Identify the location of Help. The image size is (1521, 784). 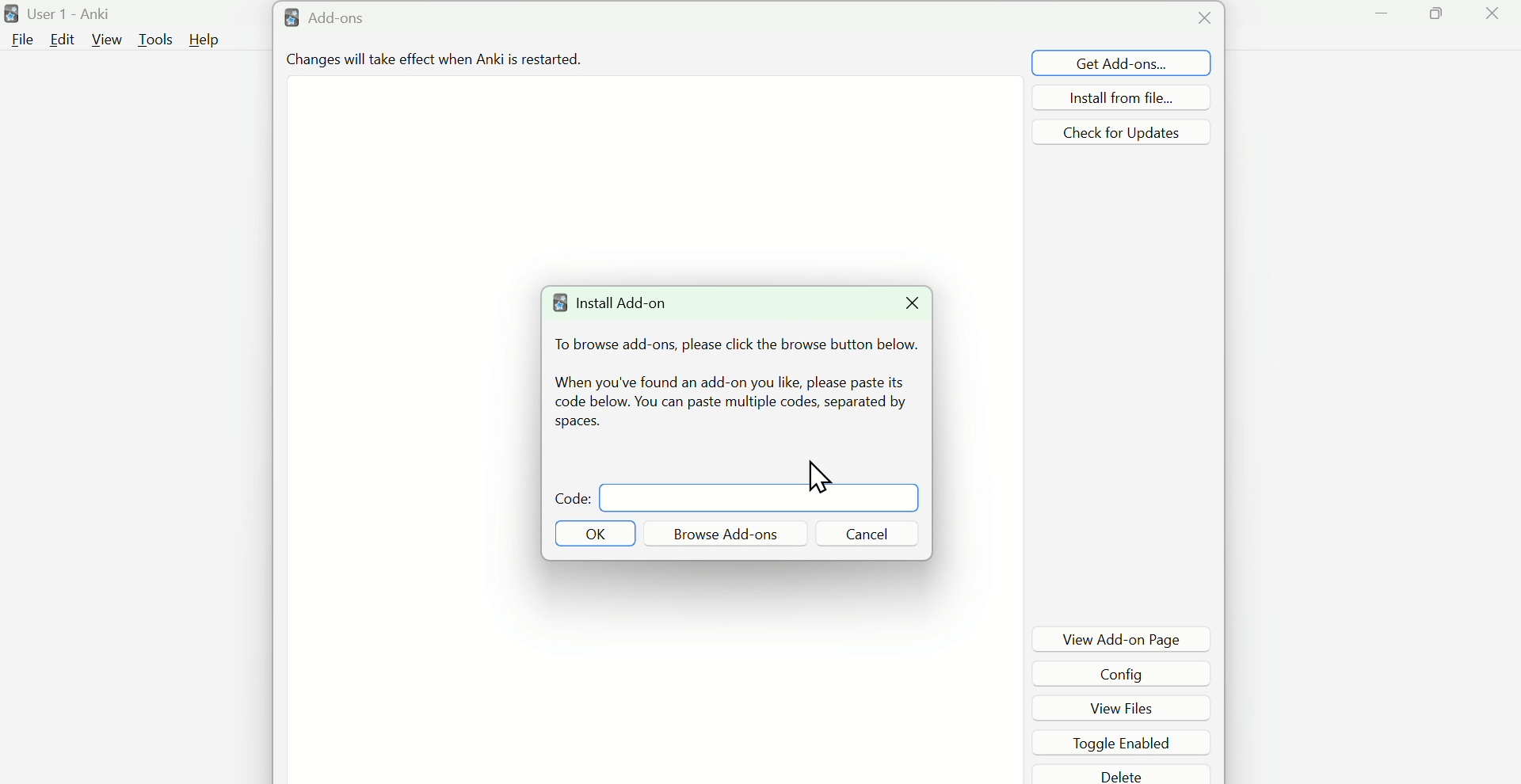
(204, 40).